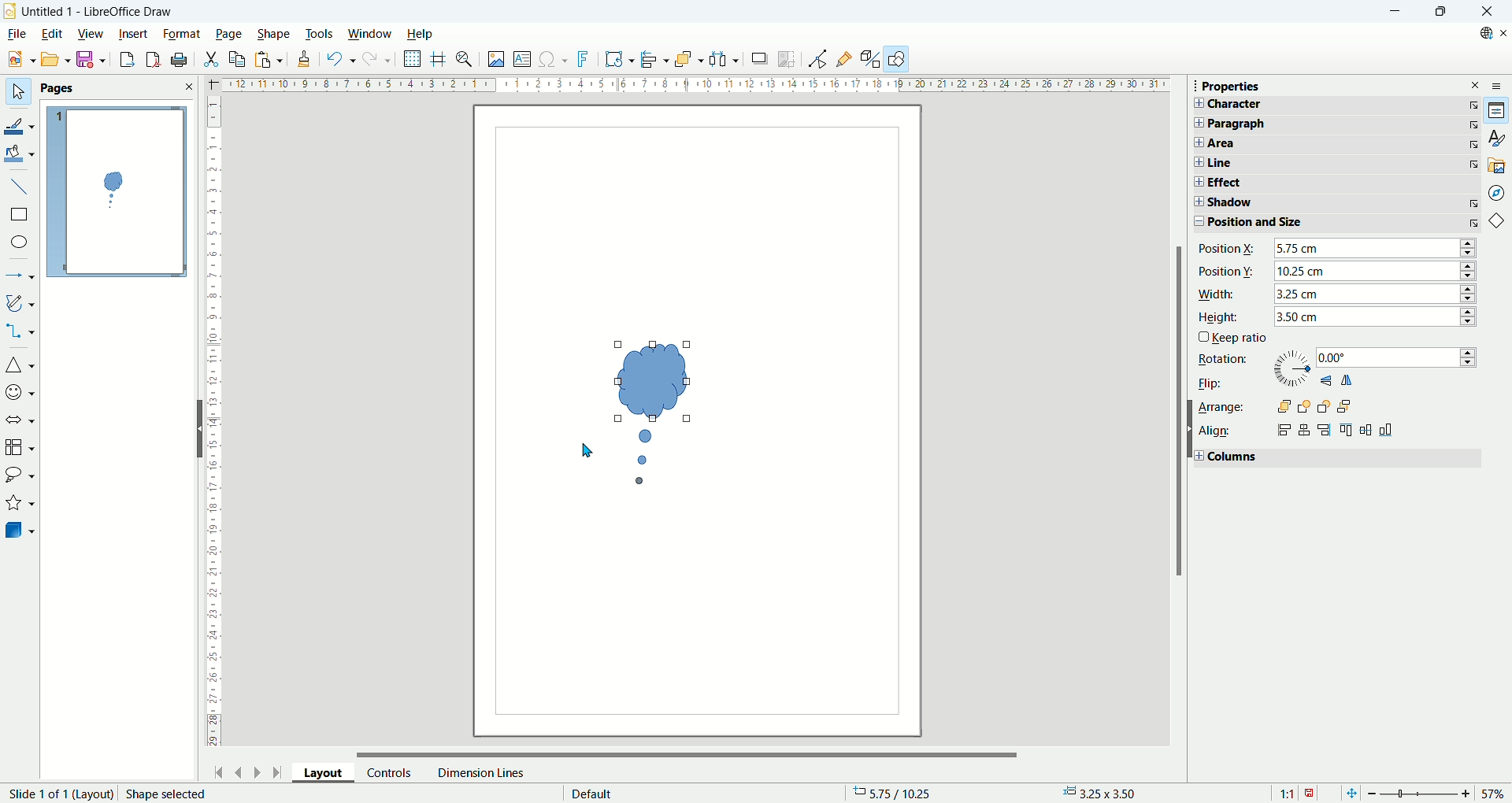 This screenshot has width=1512, height=803. I want to click on go to last page, so click(278, 772).